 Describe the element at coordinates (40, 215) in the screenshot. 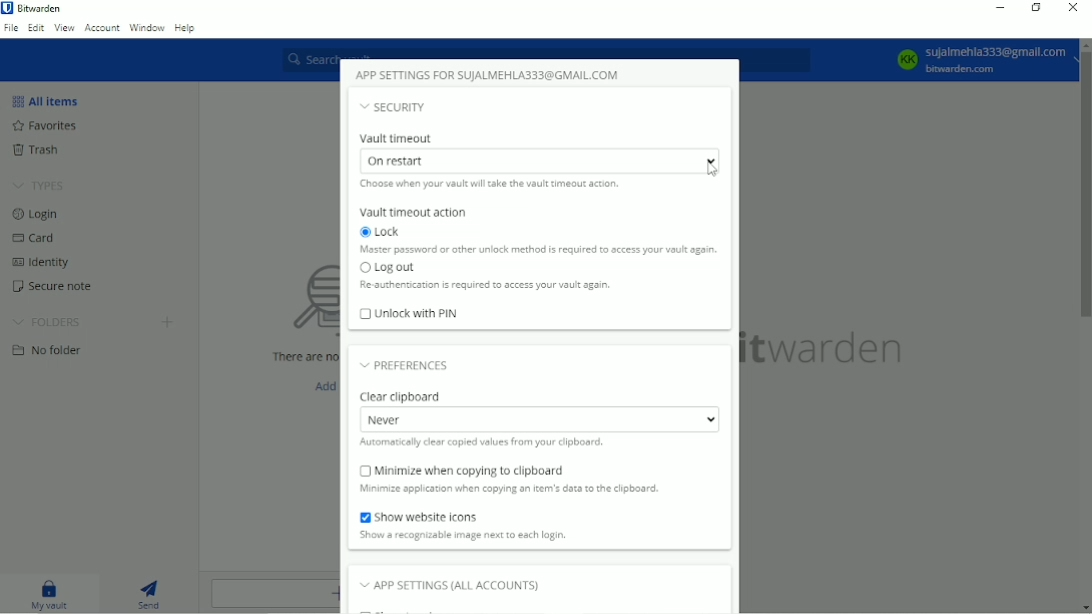

I see `Login` at that location.